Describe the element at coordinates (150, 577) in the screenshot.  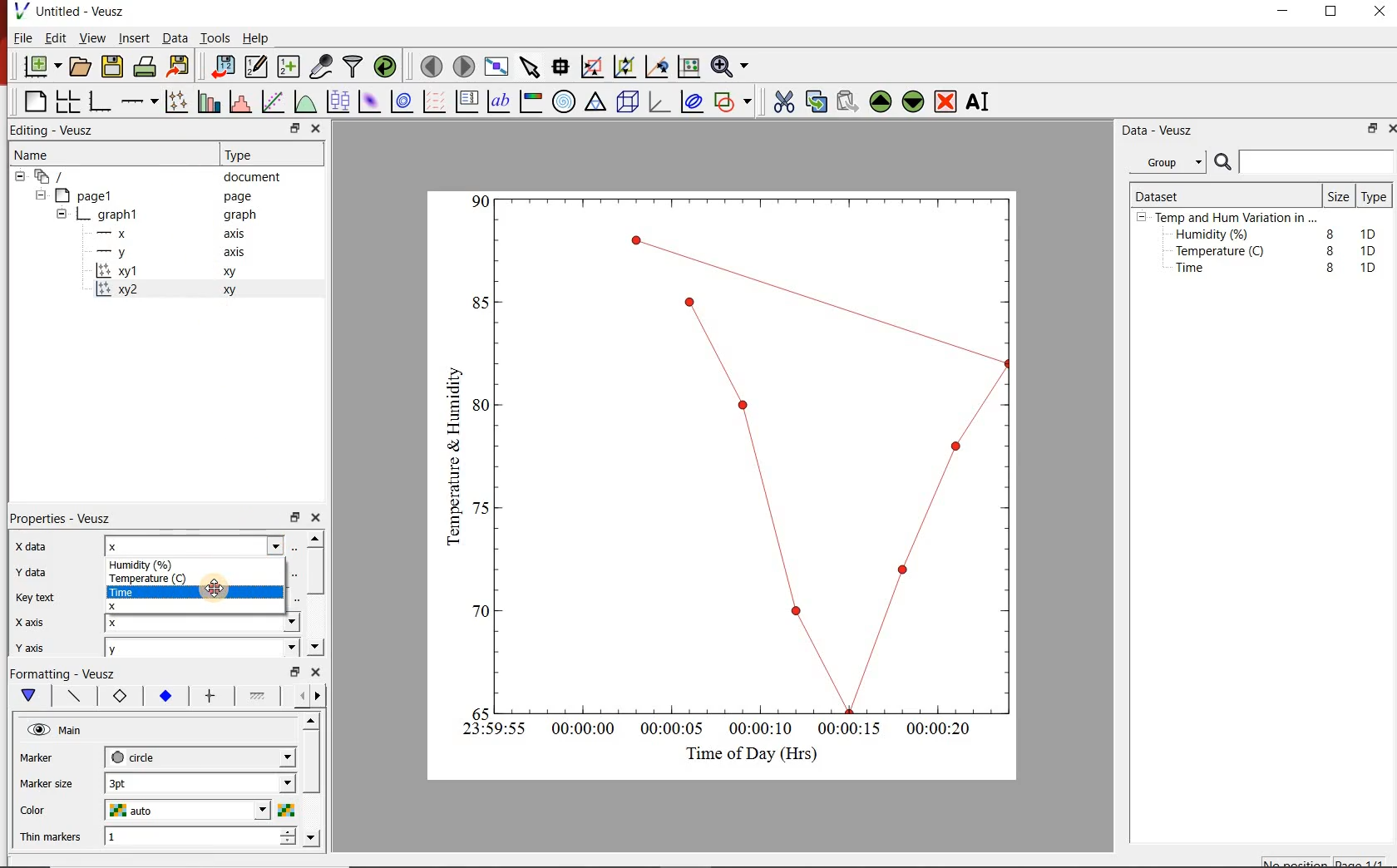
I see `Temperature (C)` at that location.